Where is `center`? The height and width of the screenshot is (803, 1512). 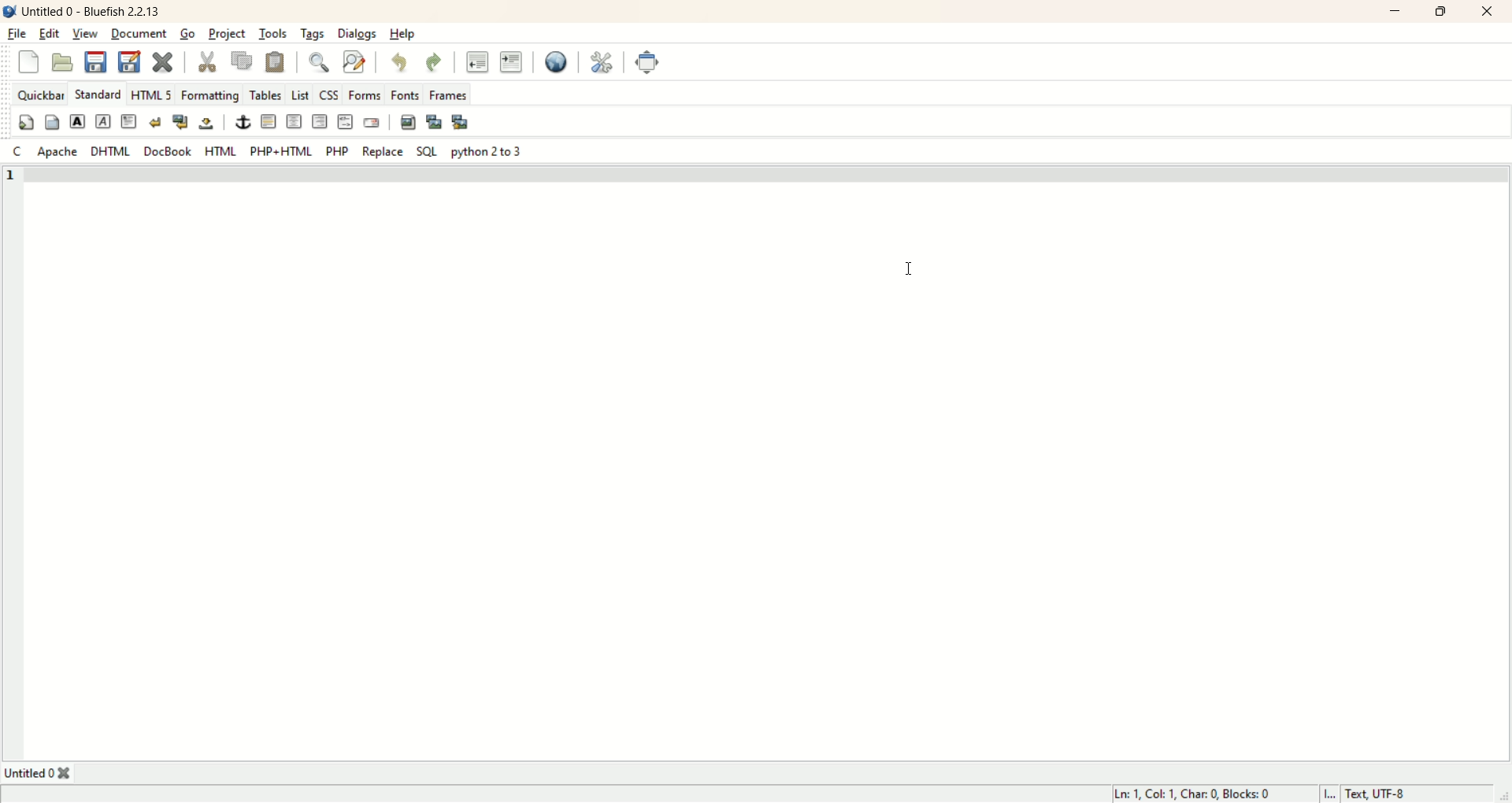 center is located at coordinates (294, 123).